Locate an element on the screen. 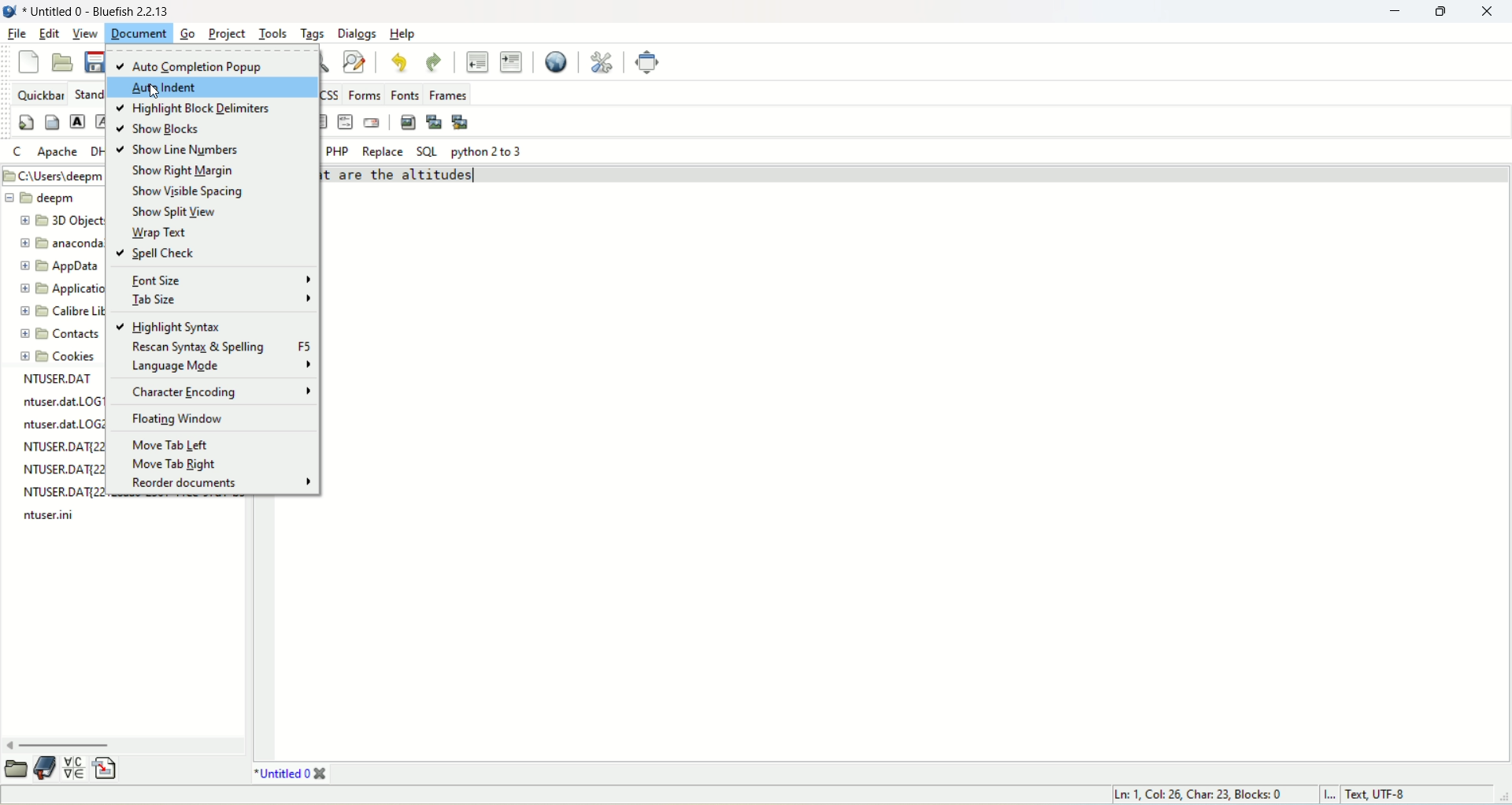 The width and height of the screenshot is (1512, 805). project is located at coordinates (225, 32).